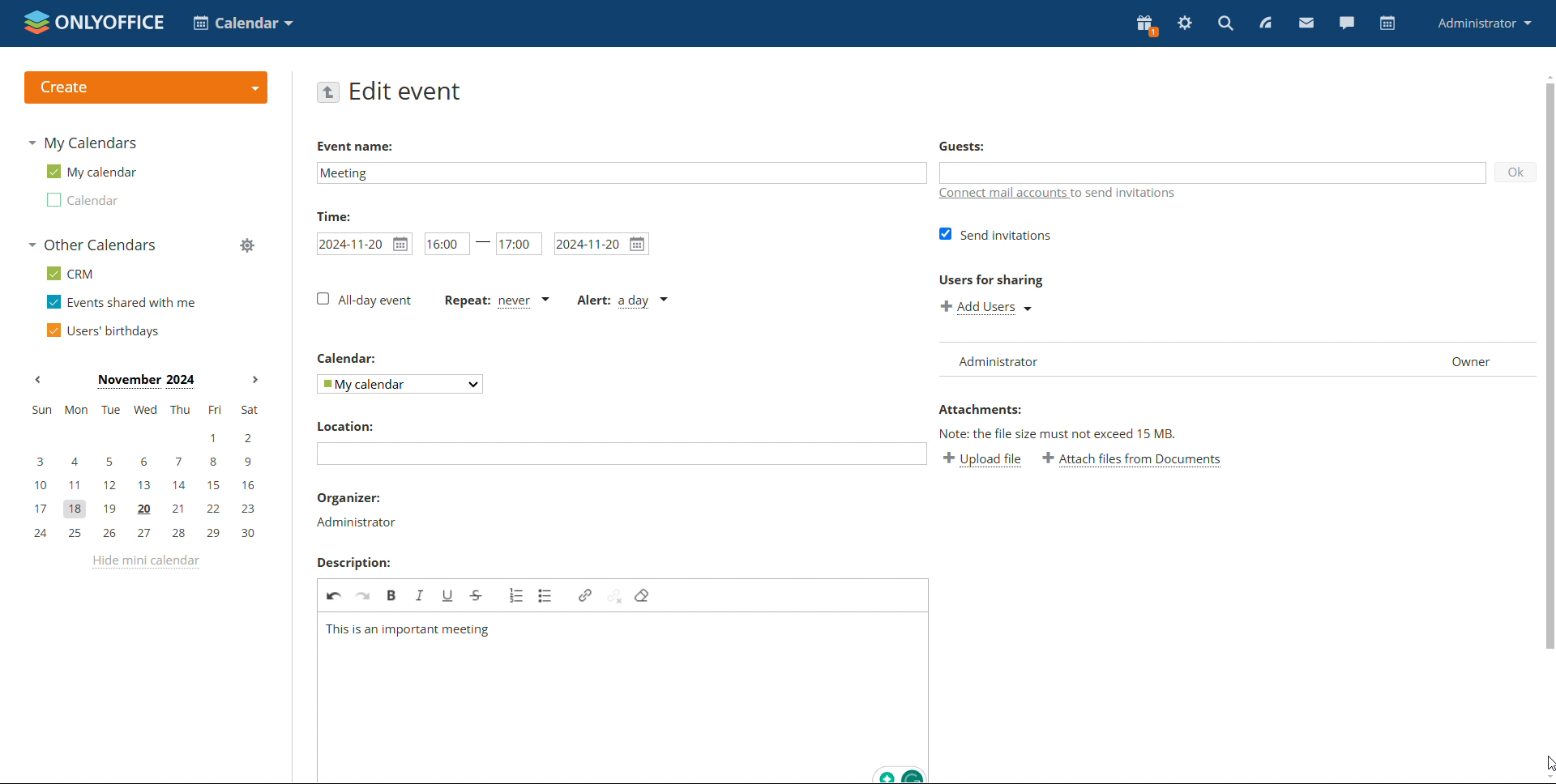 The height and width of the screenshot is (784, 1556). What do you see at coordinates (547, 596) in the screenshot?
I see `insert/remove bulleted list` at bounding box center [547, 596].